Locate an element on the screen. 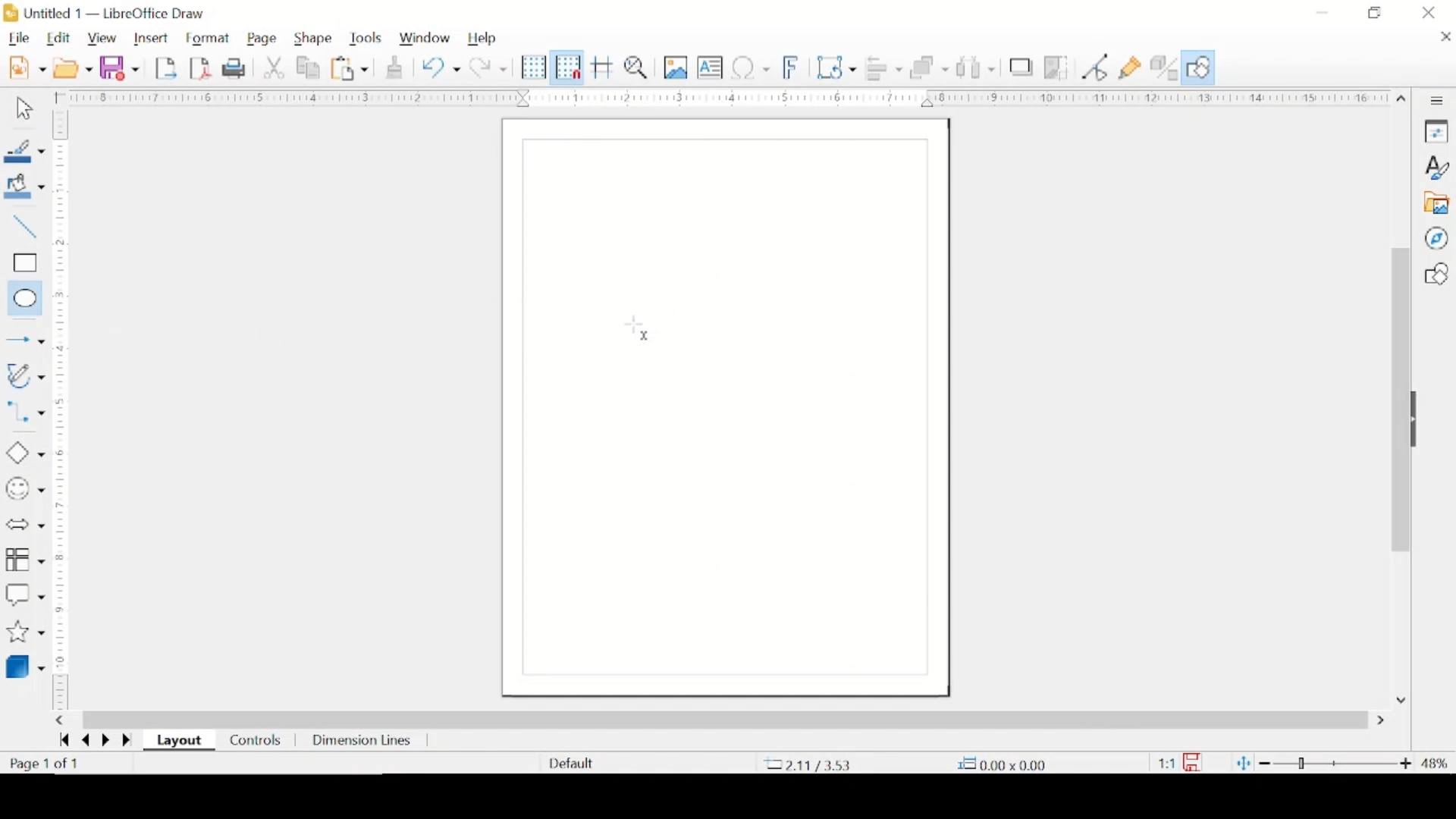  format is located at coordinates (210, 37).